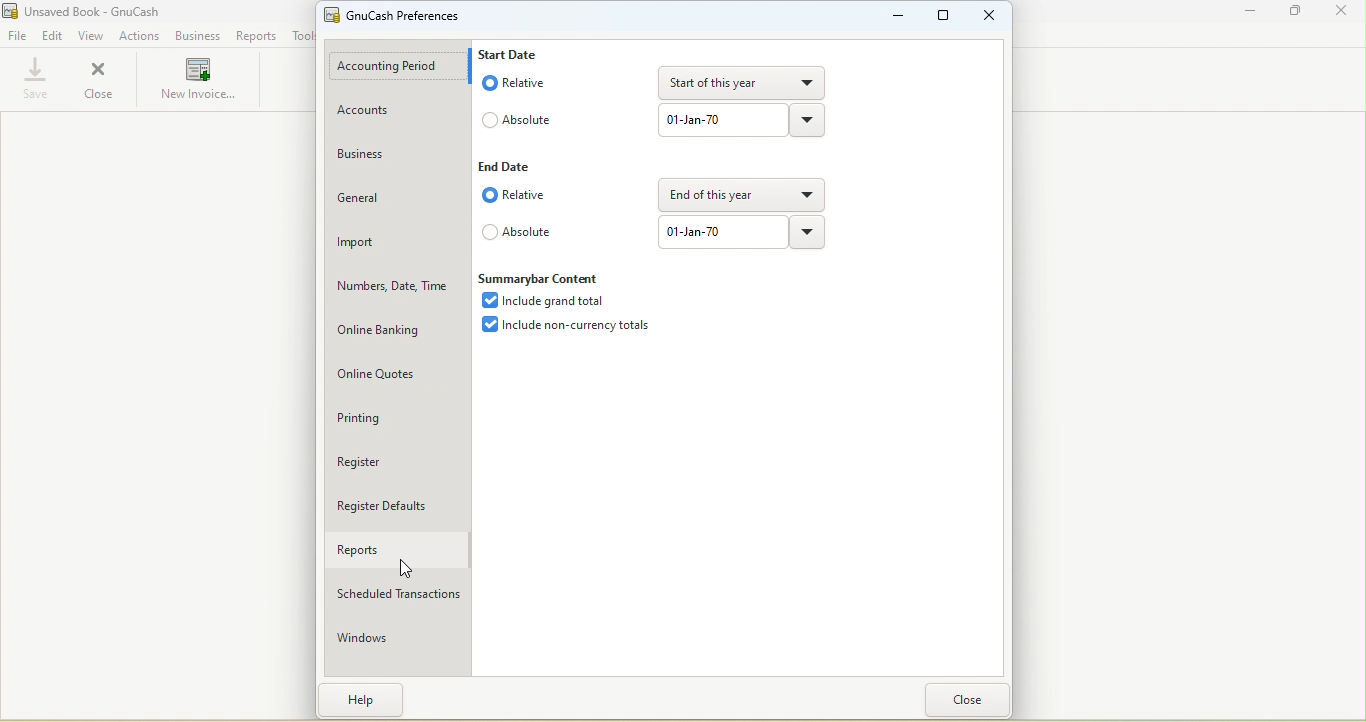  I want to click on drop down, so click(806, 122).